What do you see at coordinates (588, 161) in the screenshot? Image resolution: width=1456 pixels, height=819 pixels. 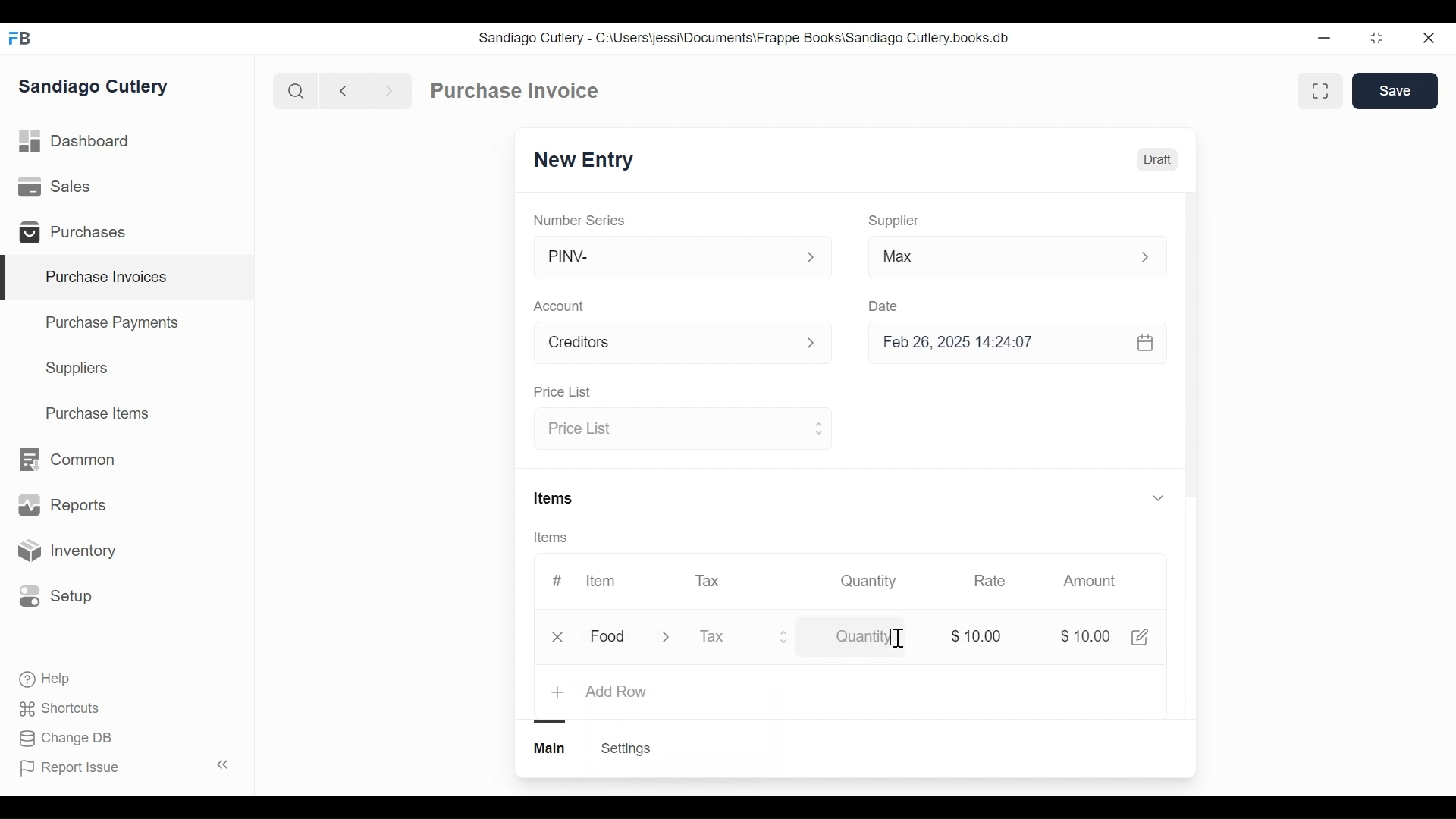 I see `New Entry` at bounding box center [588, 161].